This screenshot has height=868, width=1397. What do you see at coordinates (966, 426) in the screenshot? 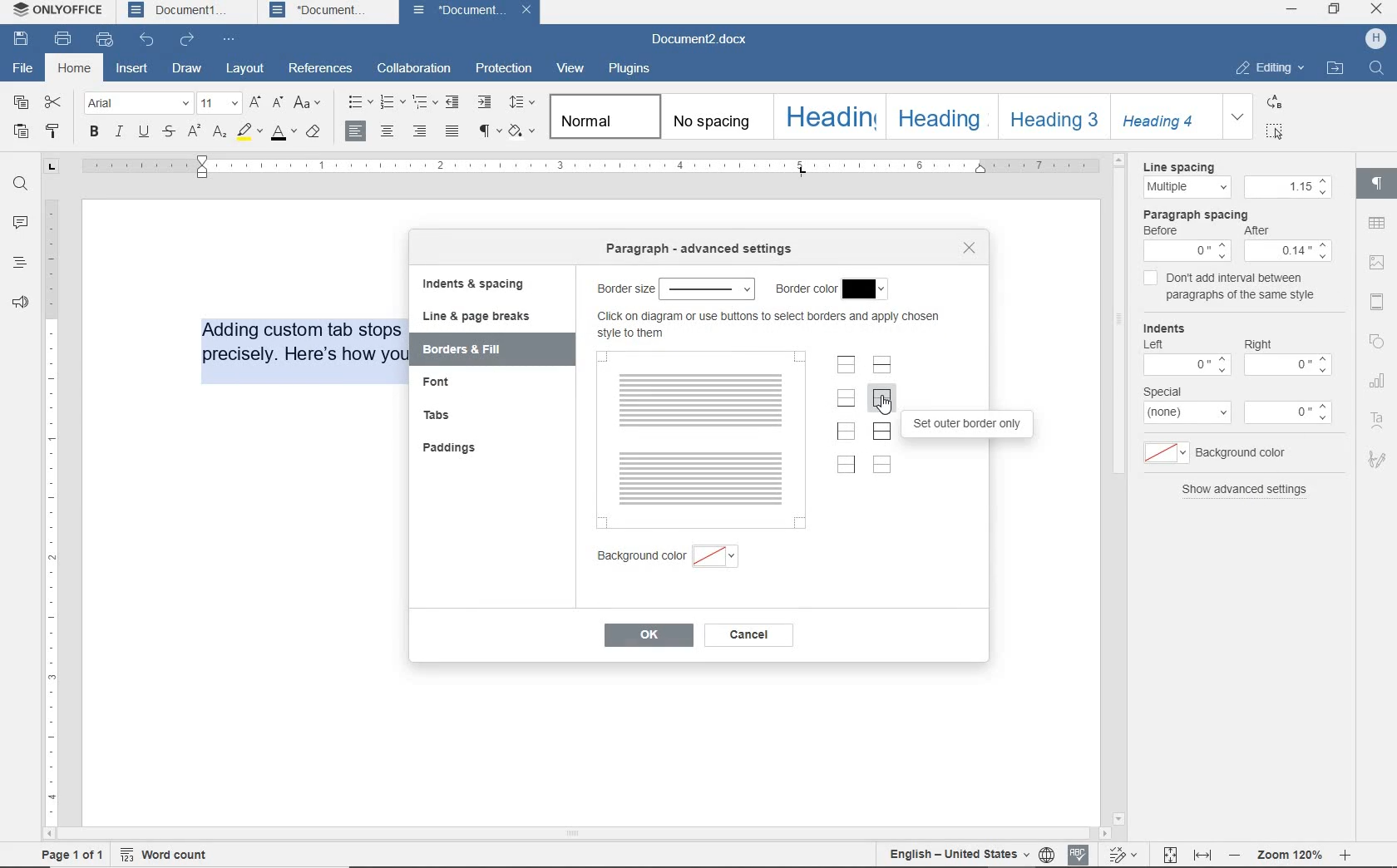
I see `set outer border only` at bounding box center [966, 426].